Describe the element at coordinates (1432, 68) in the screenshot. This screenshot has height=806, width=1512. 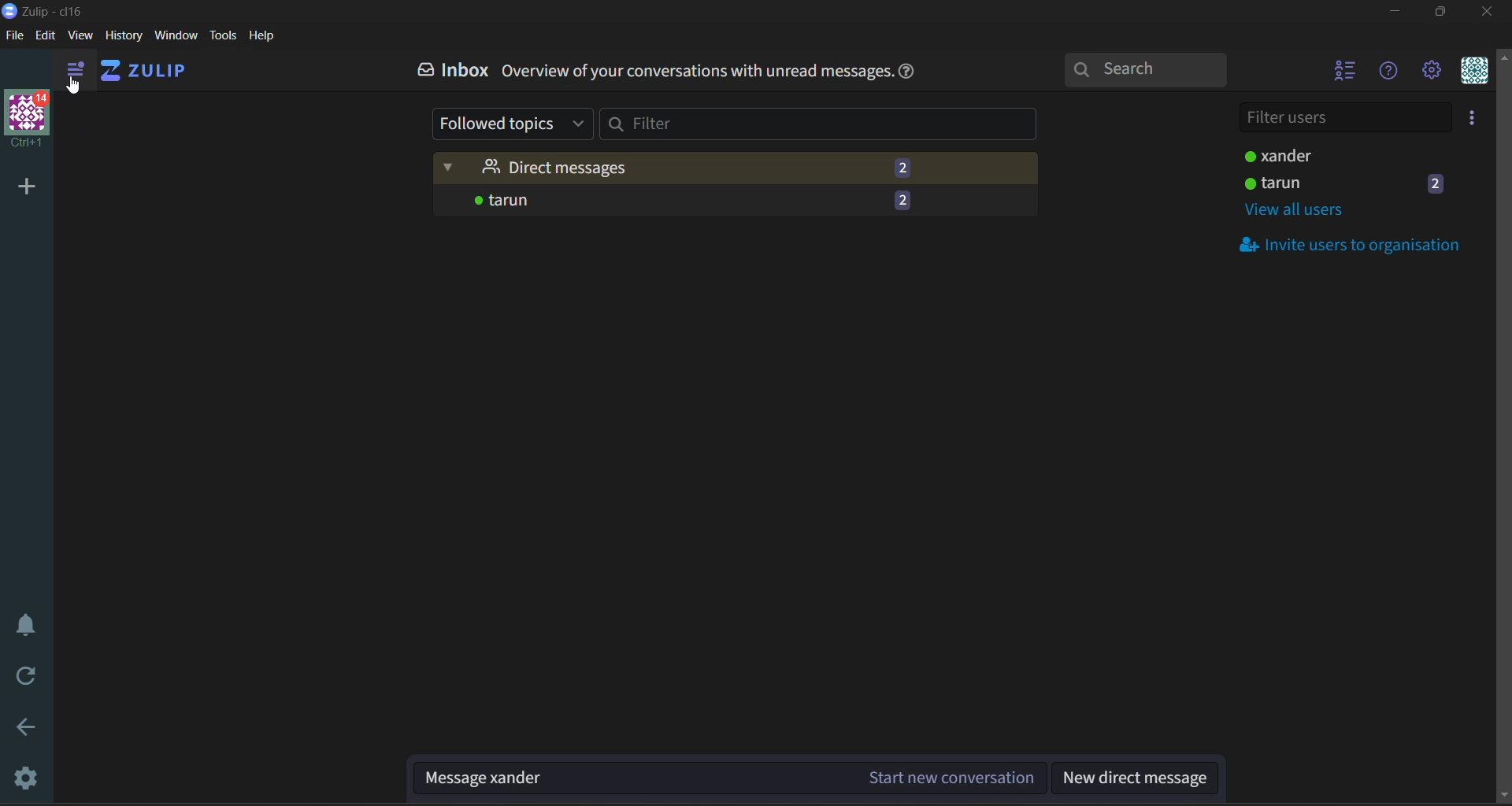
I see `settings` at that location.